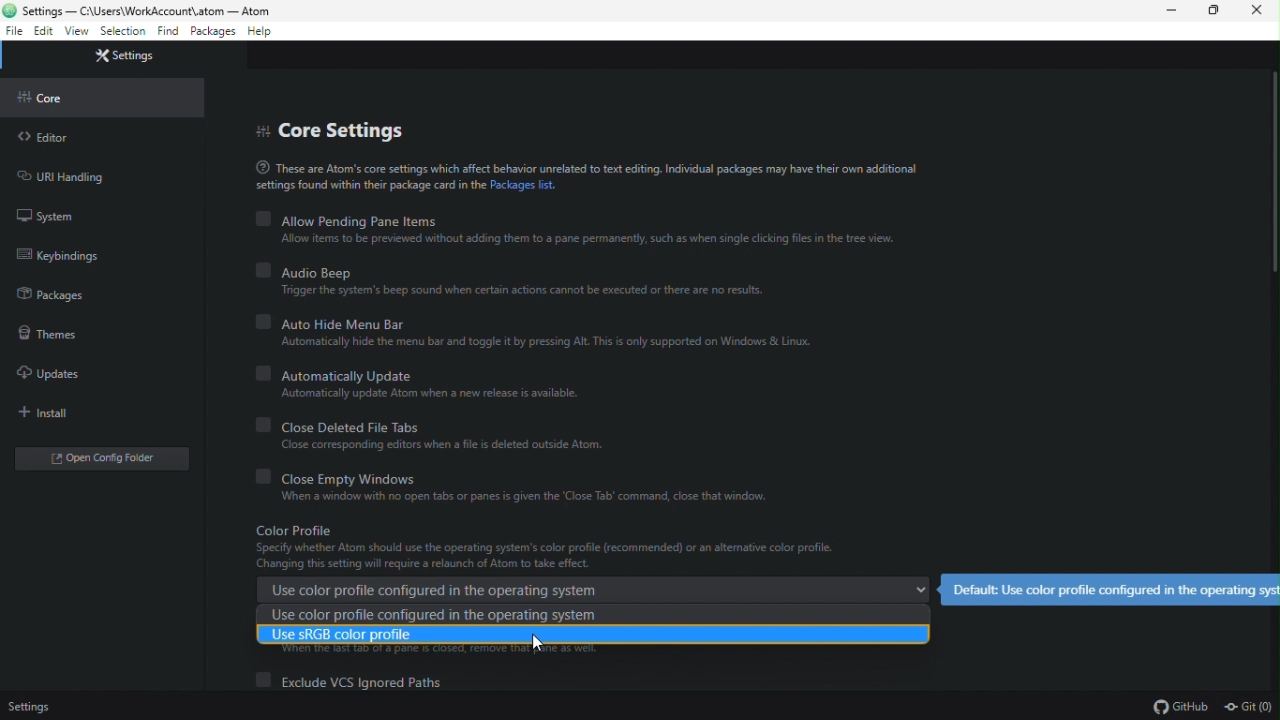 Image resolution: width=1280 pixels, height=720 pixels. Describe the element at coordinates (522, 489) in the screenshot. I see `close empty windows` at that location.